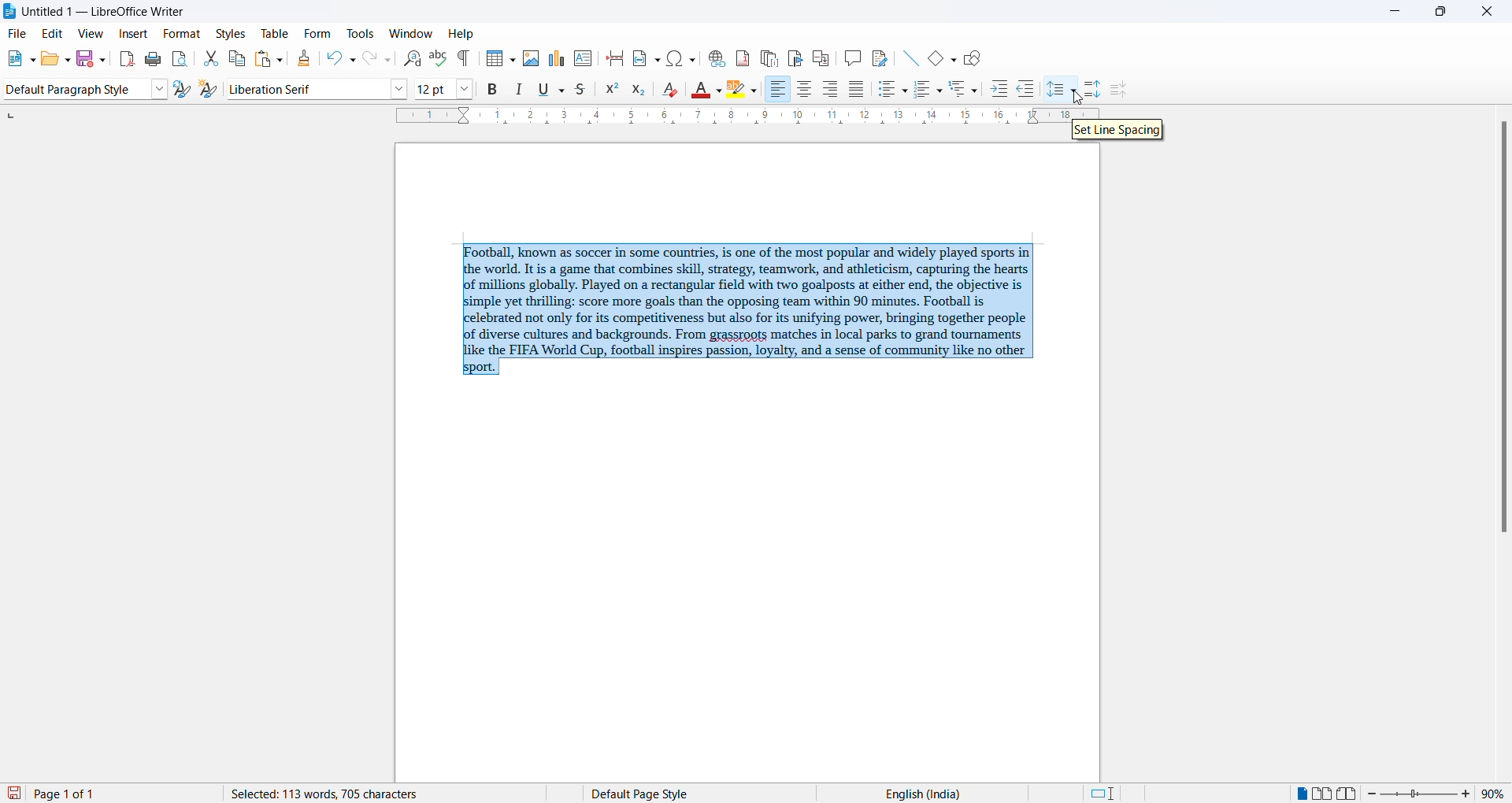 The width and height of the screenshot is (1512, 803). What do you see at coordinates (1388, 12) in the screenshot?
I see `minimize` at bounding box center [1388, 12].